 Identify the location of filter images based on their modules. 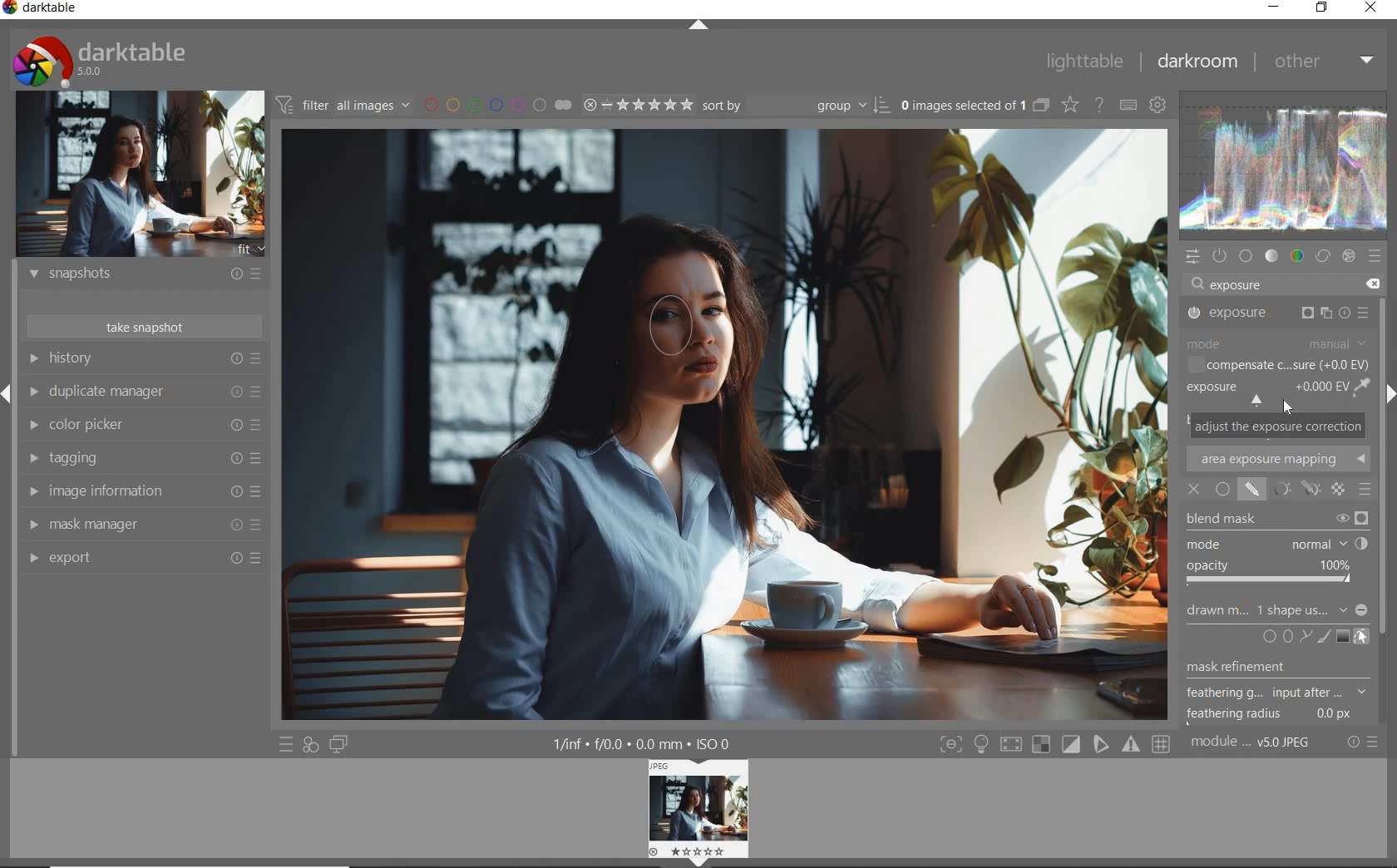
(343, 103).